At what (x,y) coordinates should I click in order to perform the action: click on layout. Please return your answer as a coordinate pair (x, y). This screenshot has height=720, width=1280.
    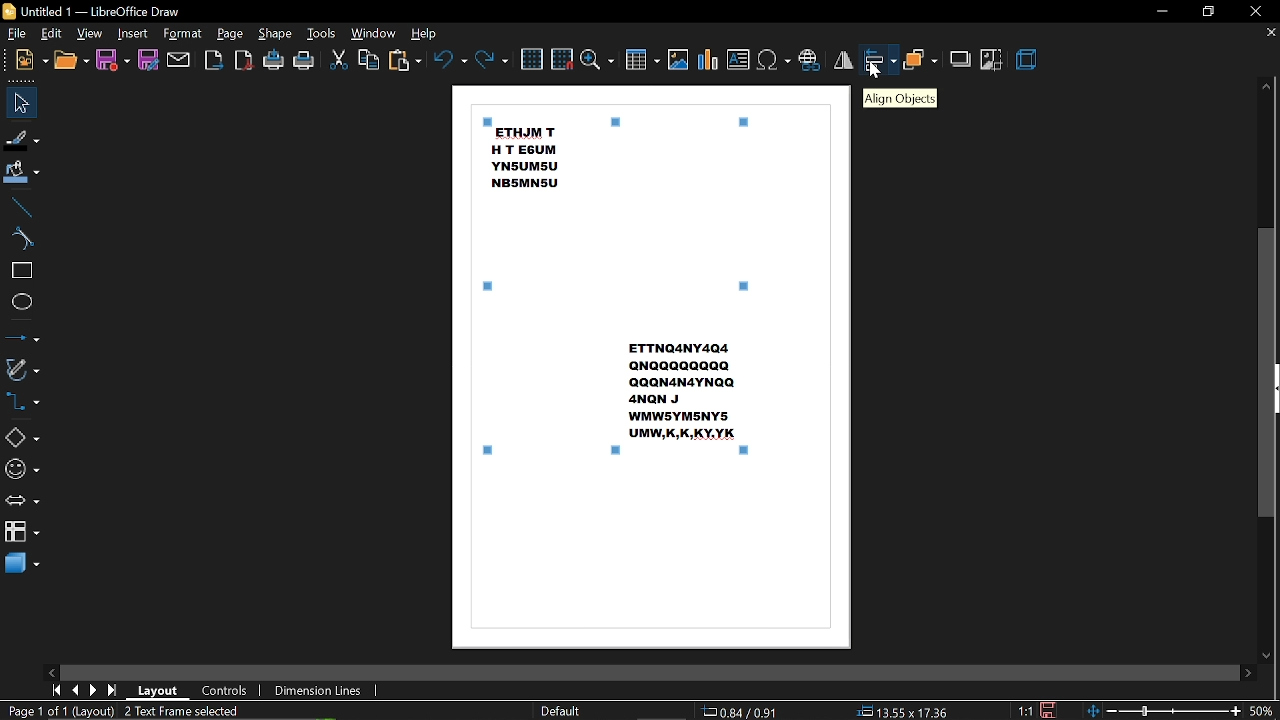
    Looking at the image, I should click on (161, 691).